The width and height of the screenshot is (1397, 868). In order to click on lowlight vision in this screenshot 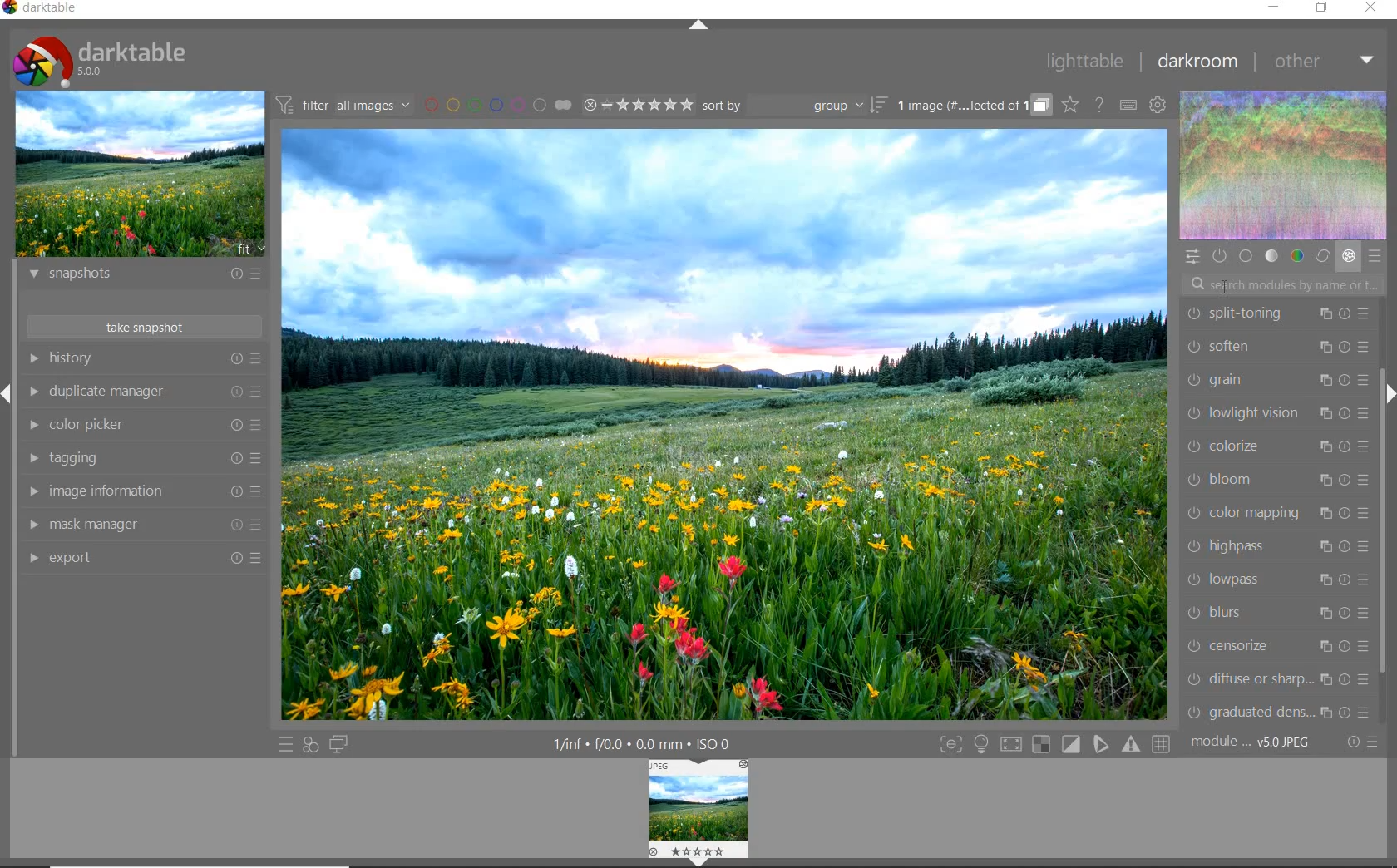, I will do `click(1278, 412)`.